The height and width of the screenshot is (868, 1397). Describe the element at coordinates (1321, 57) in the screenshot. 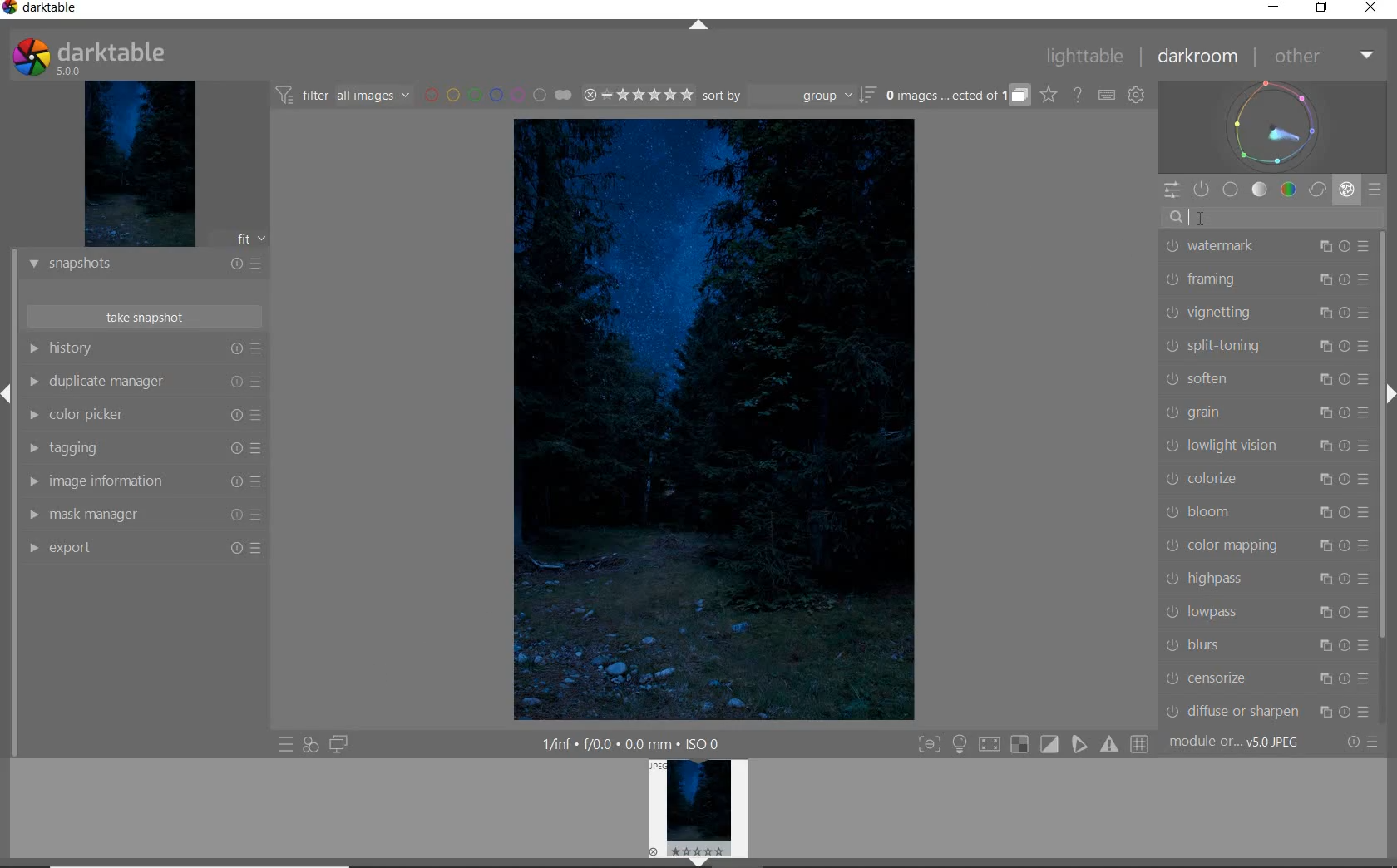

I see `OTHER` at that location.